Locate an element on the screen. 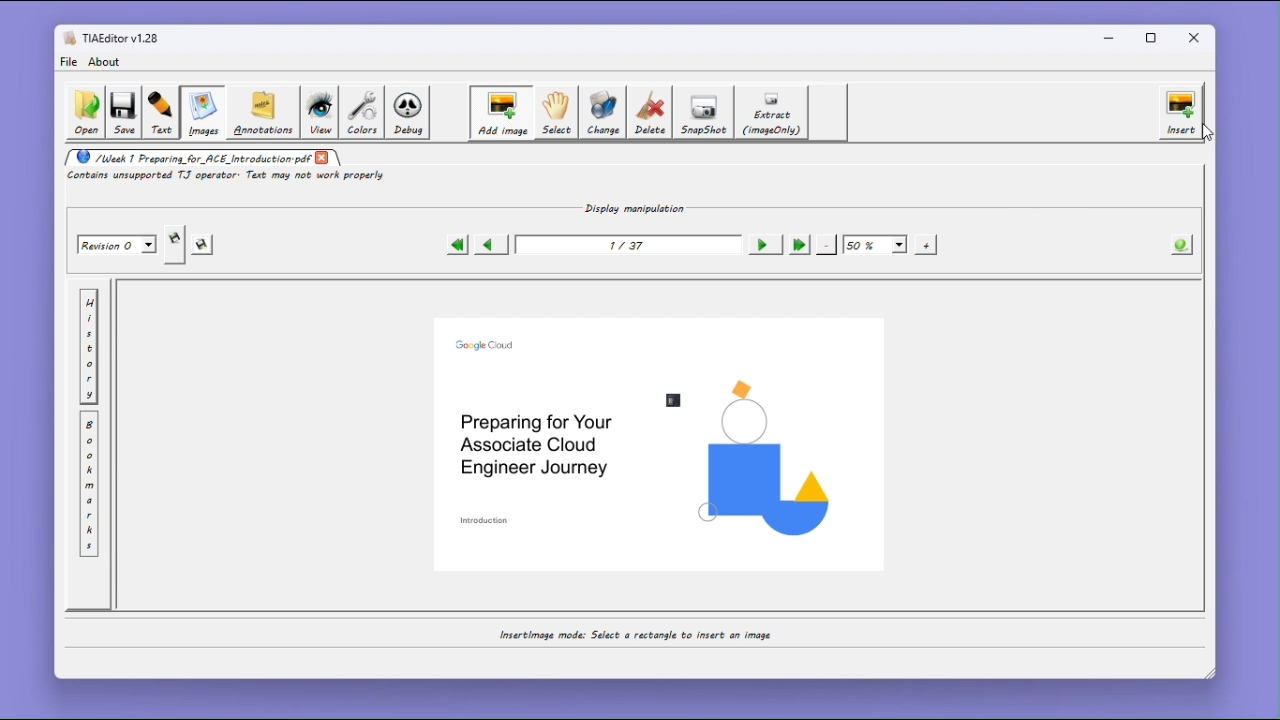 This screenshot has width=1280, height=720. History is located at coordinates (89, 347).